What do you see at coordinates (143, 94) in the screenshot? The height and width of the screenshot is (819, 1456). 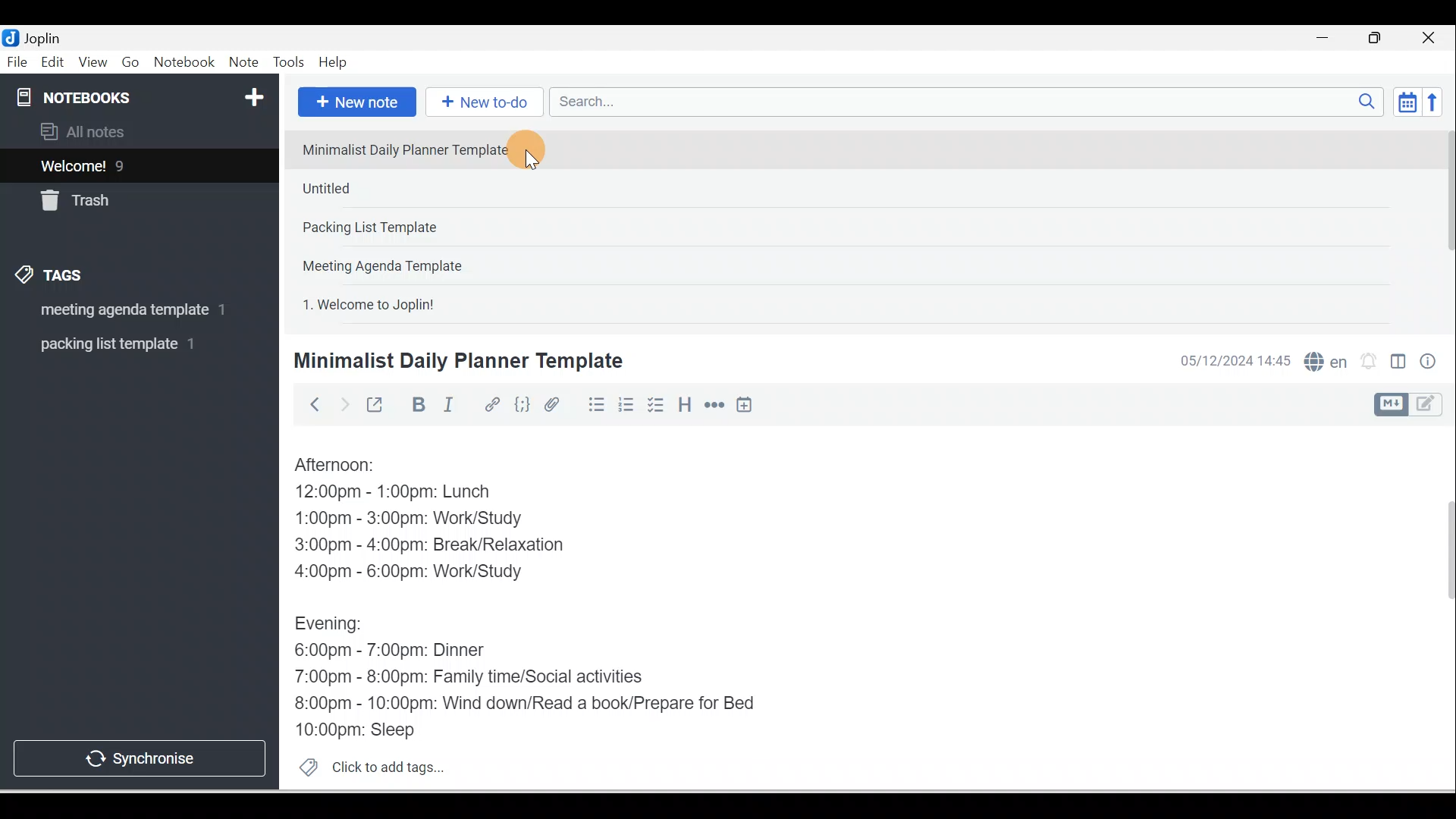 I see `Notebooks` at bounding box center [143, 94].